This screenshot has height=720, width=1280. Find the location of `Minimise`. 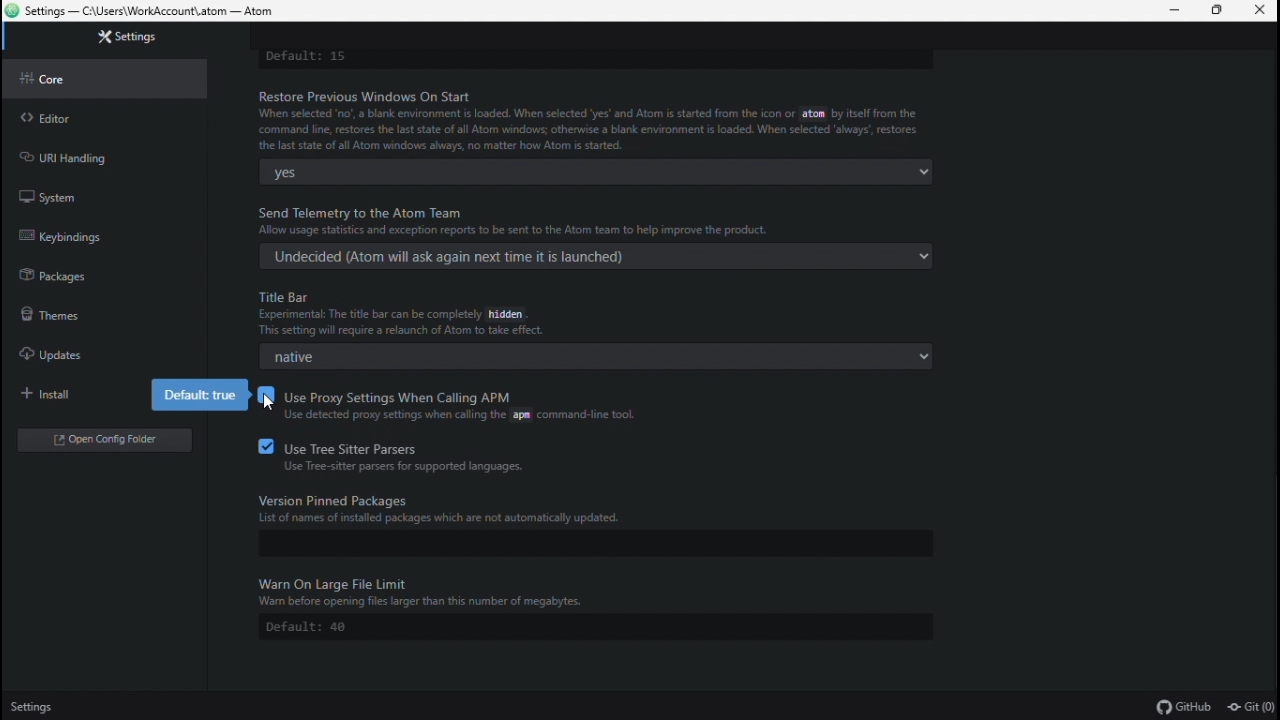

Minimise is located at coordinates (1170, 11).